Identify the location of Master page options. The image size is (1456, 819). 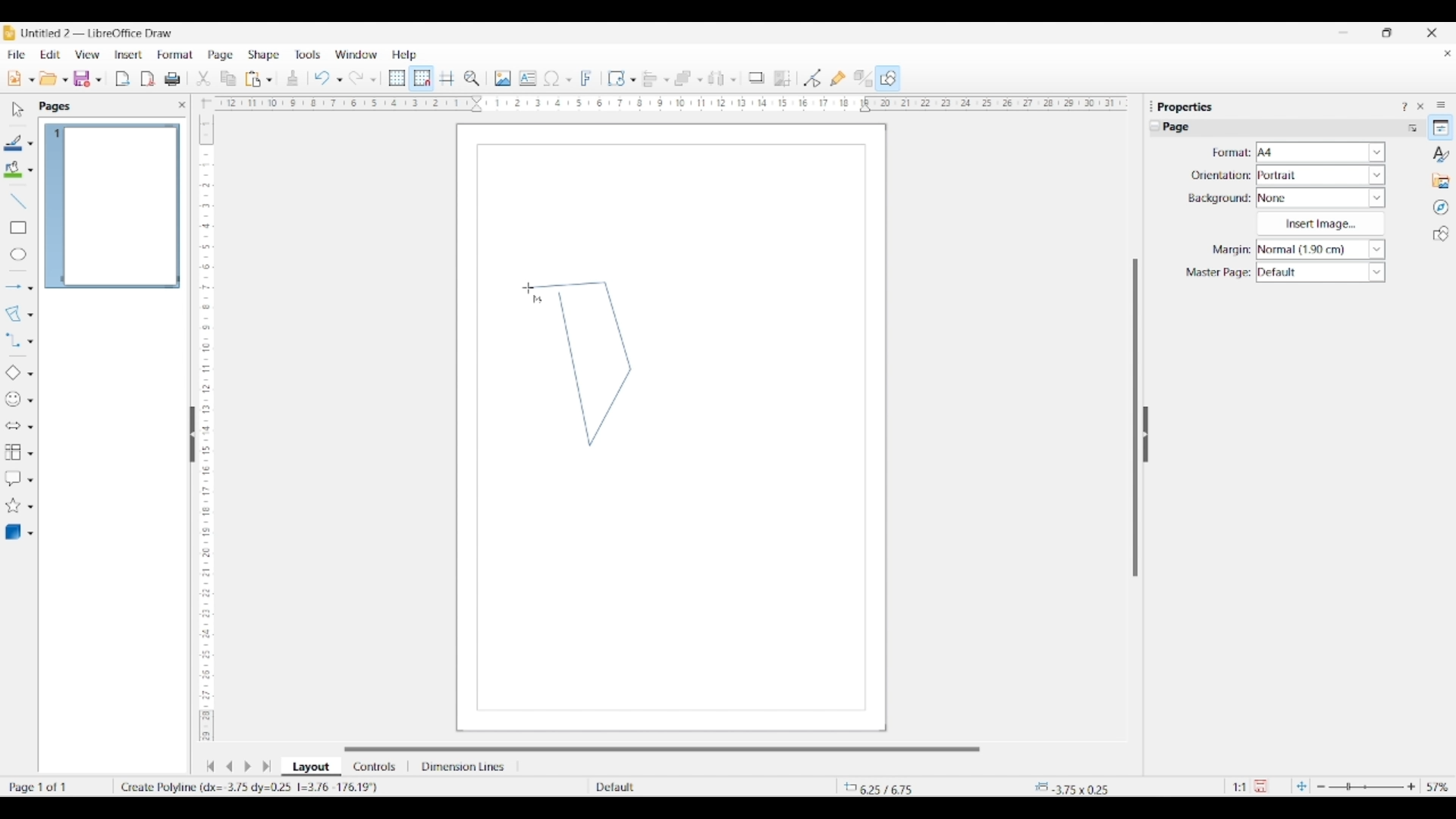
(1320, 272).